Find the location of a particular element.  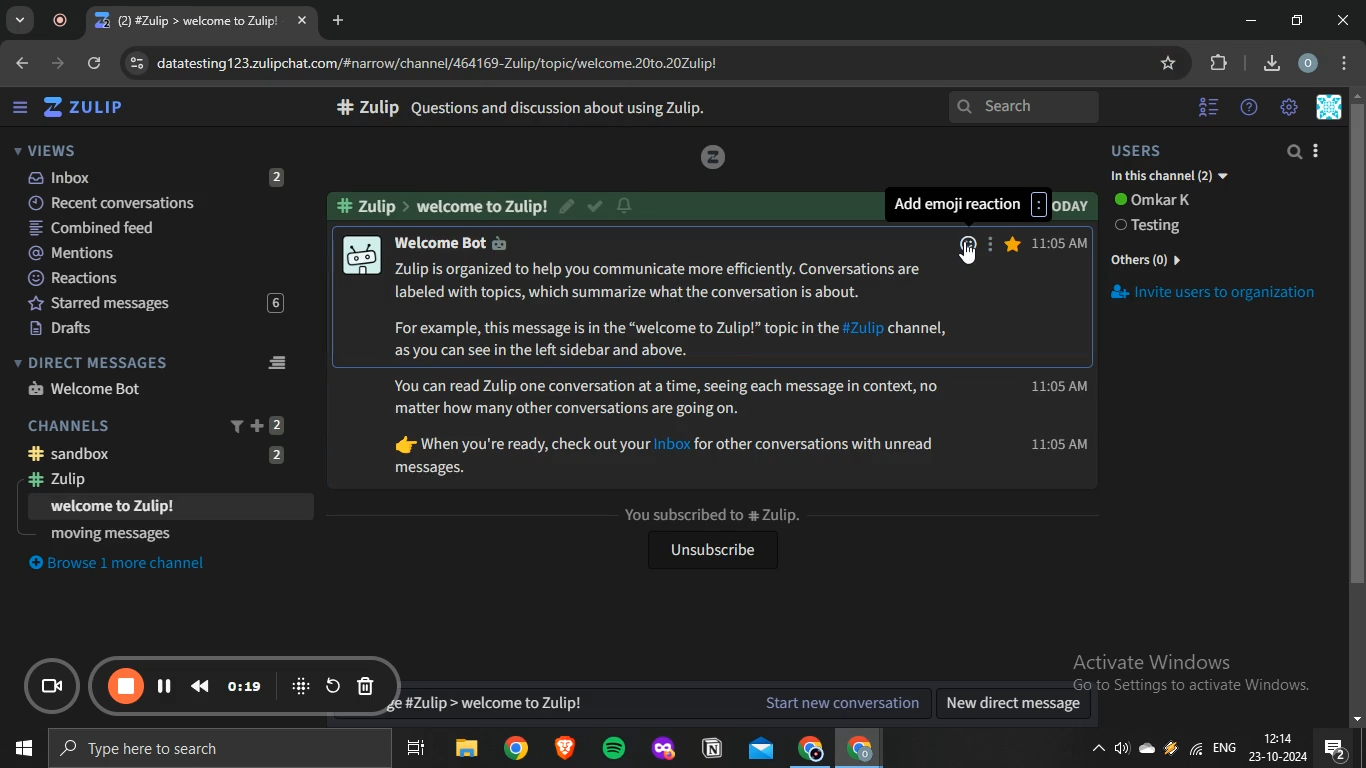

reload is located at coordinates (333, 685).